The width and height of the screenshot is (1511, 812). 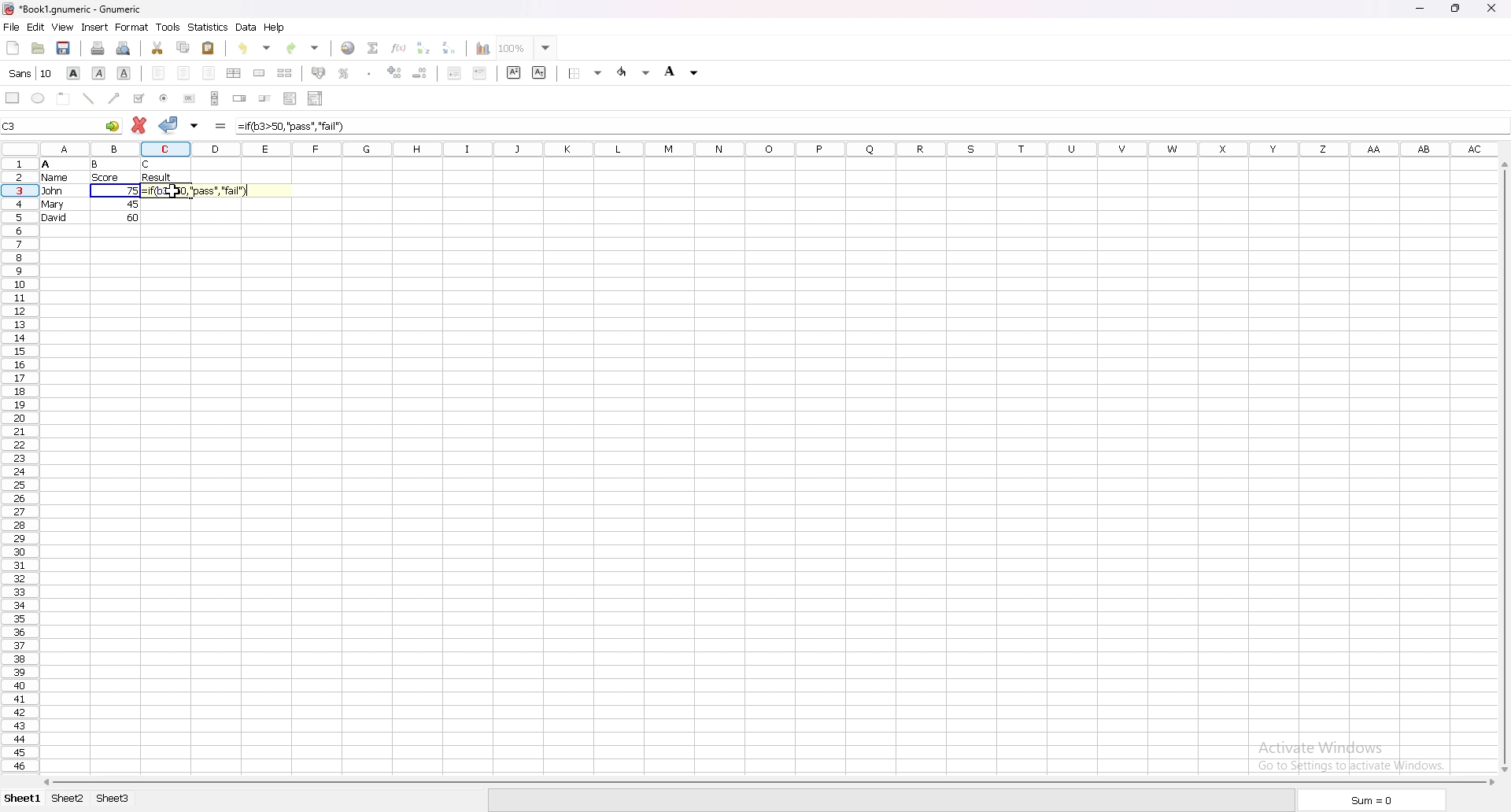 What do you see at coordinates (1459, 9) in the screenshot?
I see `resize` at bounding box center [1459, 9].